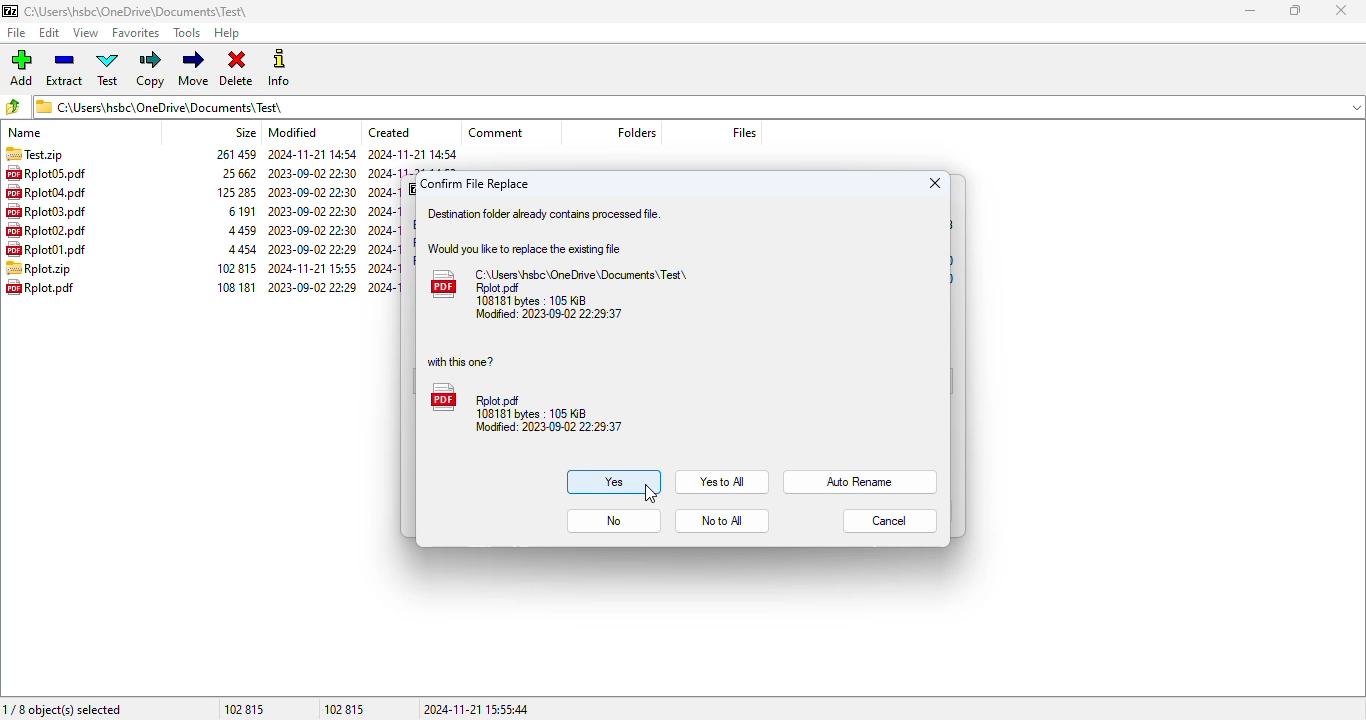 This screenshot has width=1366, height=720. Describe the element at coordinates (391, 219) in the screenshot. I see `created date & time` at that location.